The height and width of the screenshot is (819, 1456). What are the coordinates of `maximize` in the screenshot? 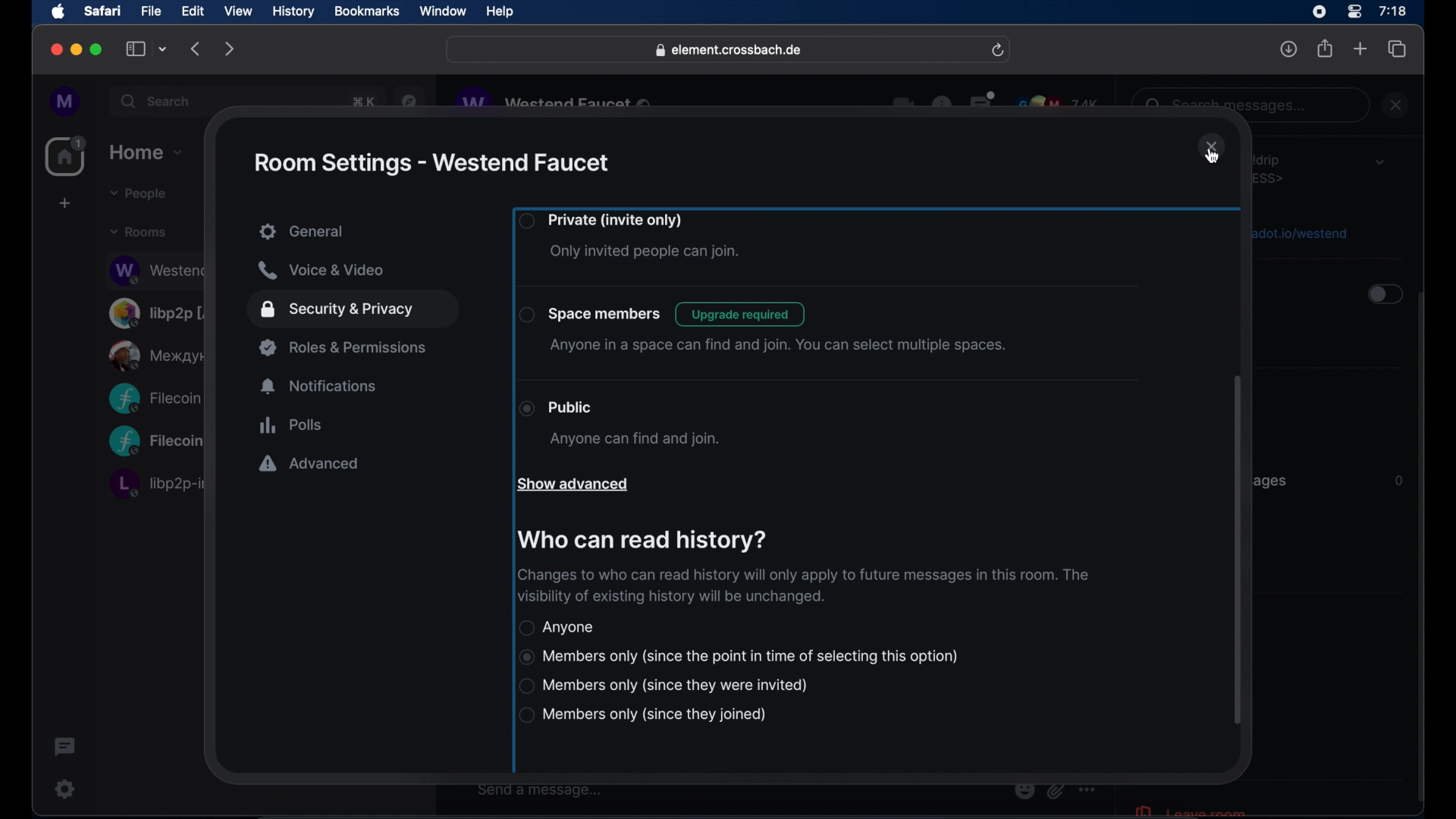 It's located at (98, 49).